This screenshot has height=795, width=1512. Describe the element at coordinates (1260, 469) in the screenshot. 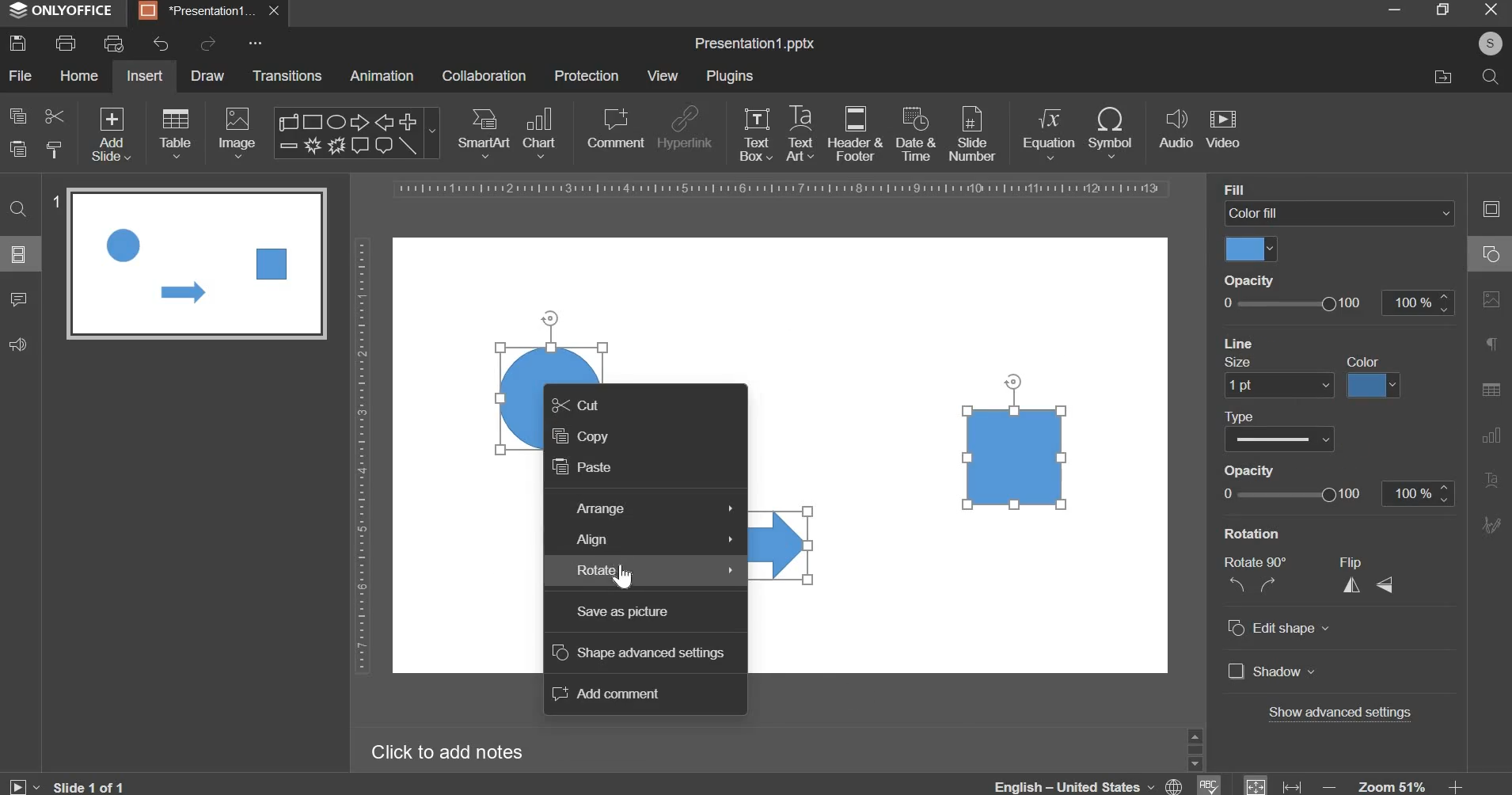

I see `opacity` at that location.